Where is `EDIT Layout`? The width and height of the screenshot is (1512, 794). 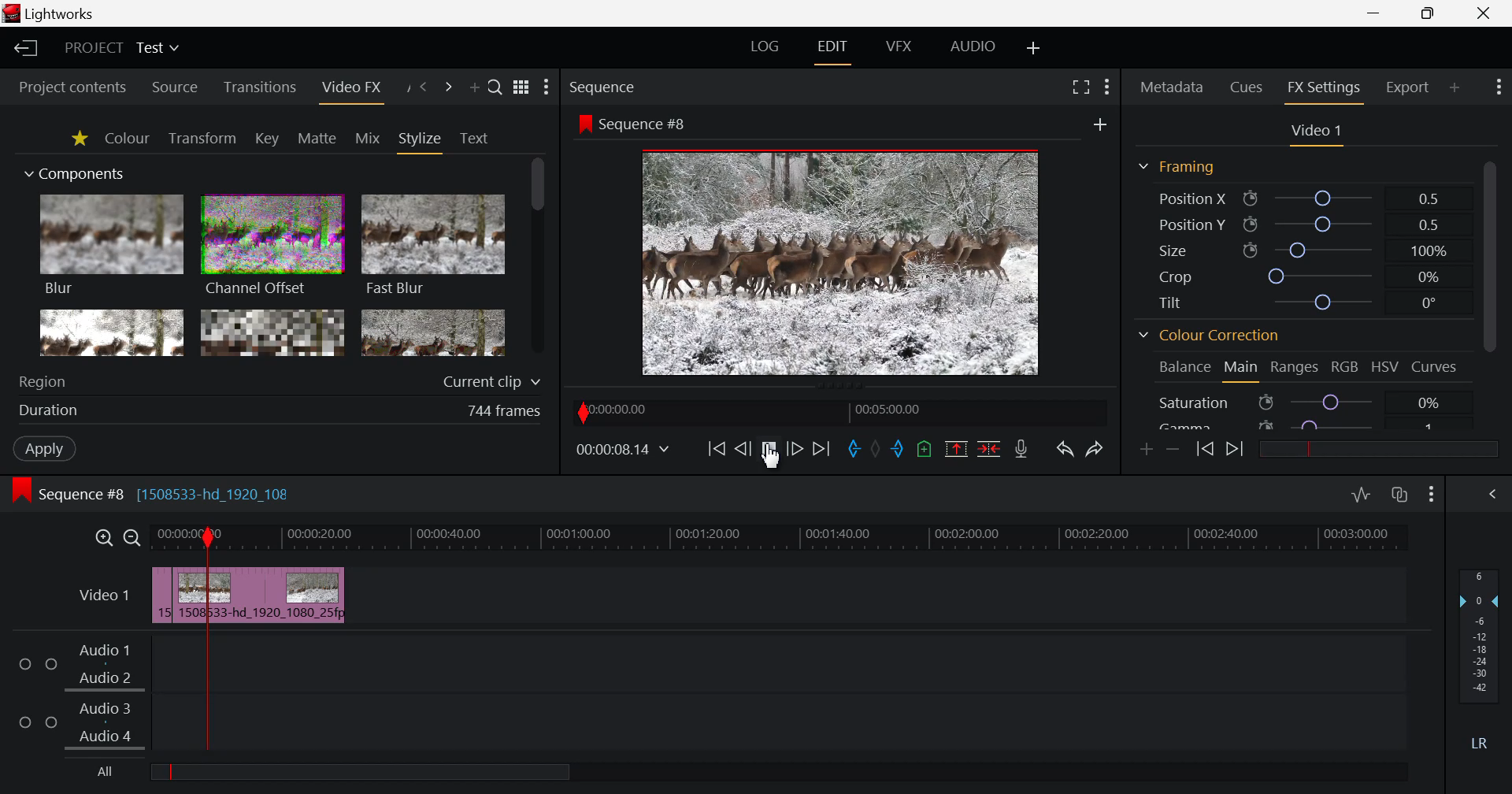 EDIT Layout is located at coordinates (831, 50).